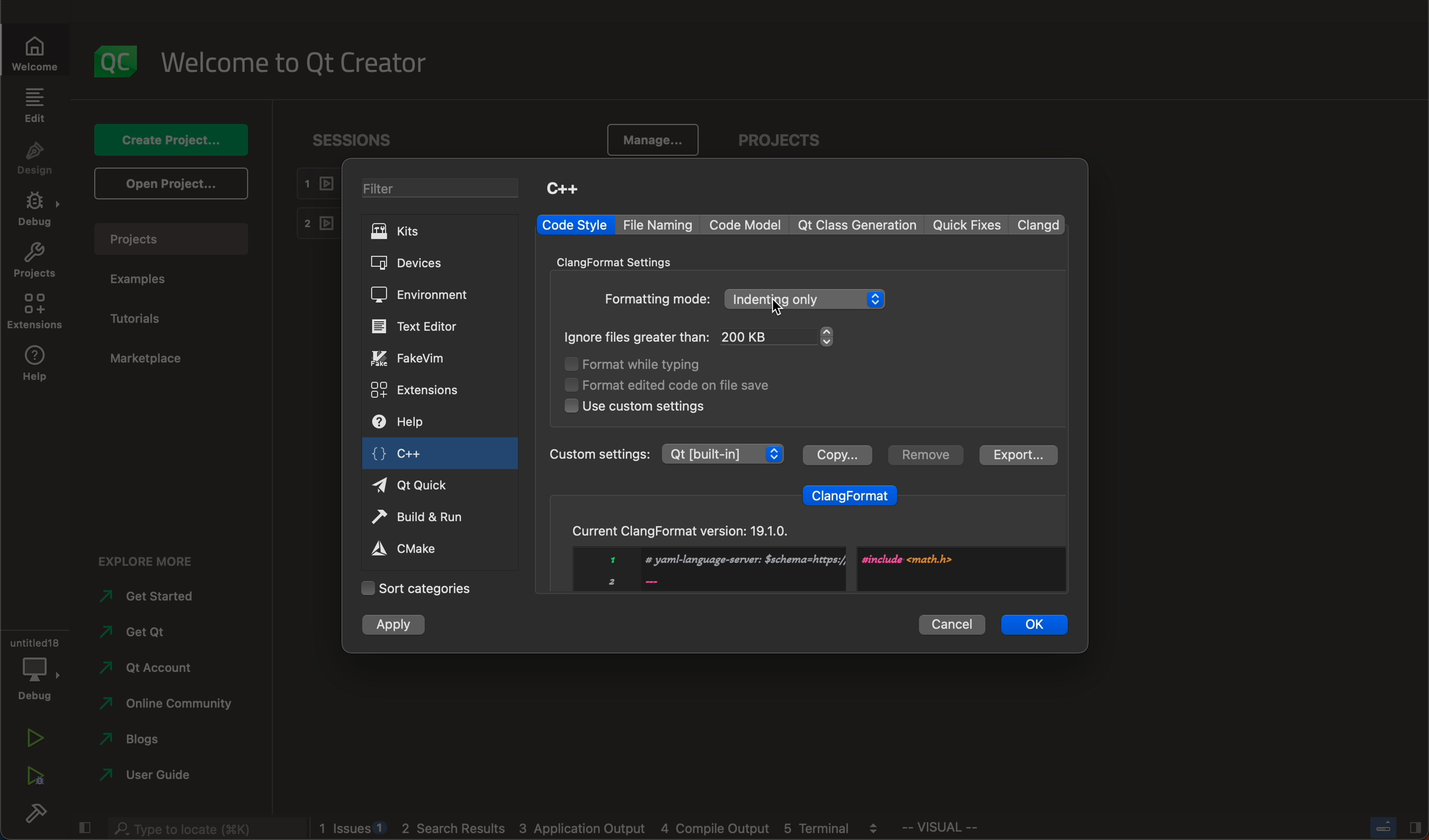  I want to click on fake vim, so click(420, 358).